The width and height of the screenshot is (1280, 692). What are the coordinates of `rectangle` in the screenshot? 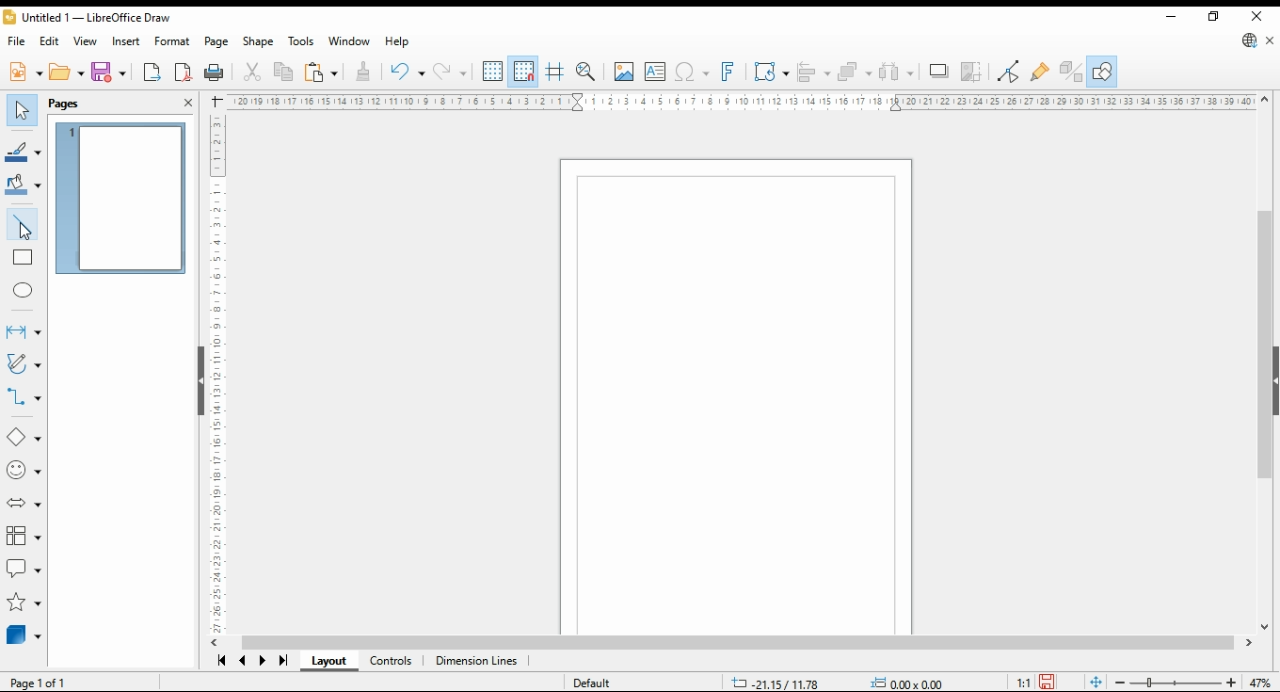 It's located at (23, 259).